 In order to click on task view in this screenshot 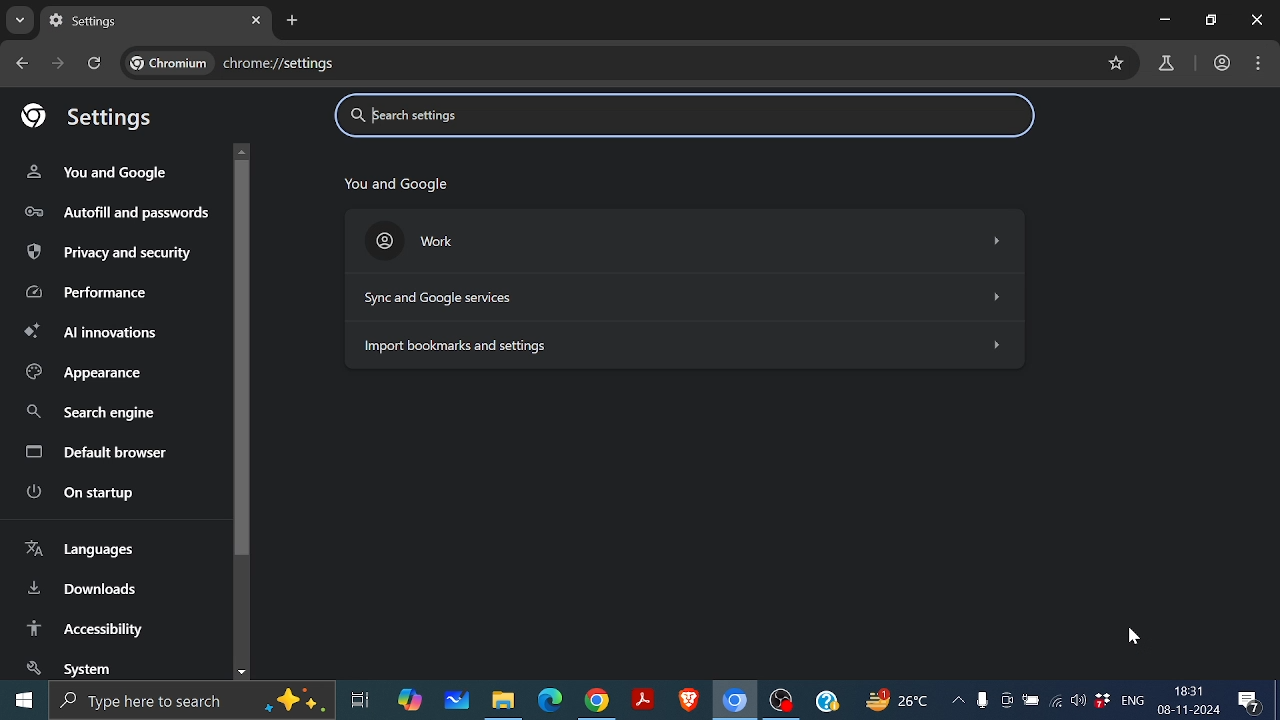, I will do `click(362, 703)`.